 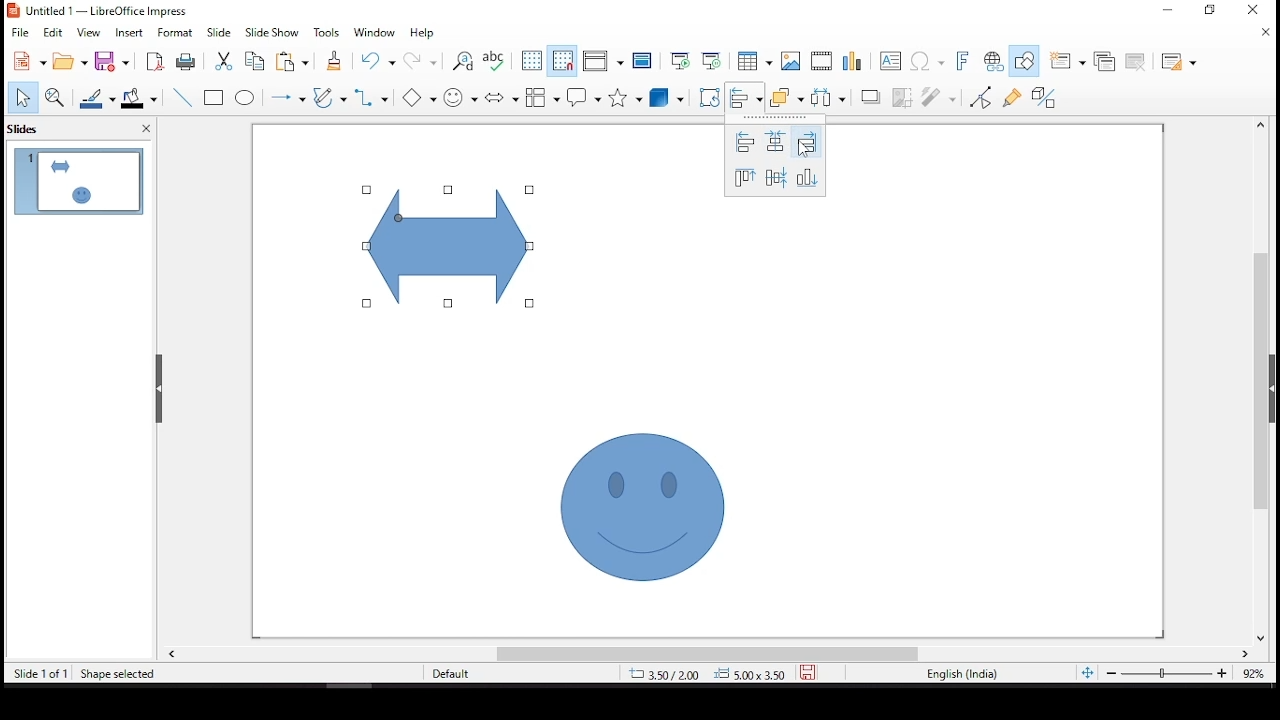 I want to click on save, so click(x=114, y=62).